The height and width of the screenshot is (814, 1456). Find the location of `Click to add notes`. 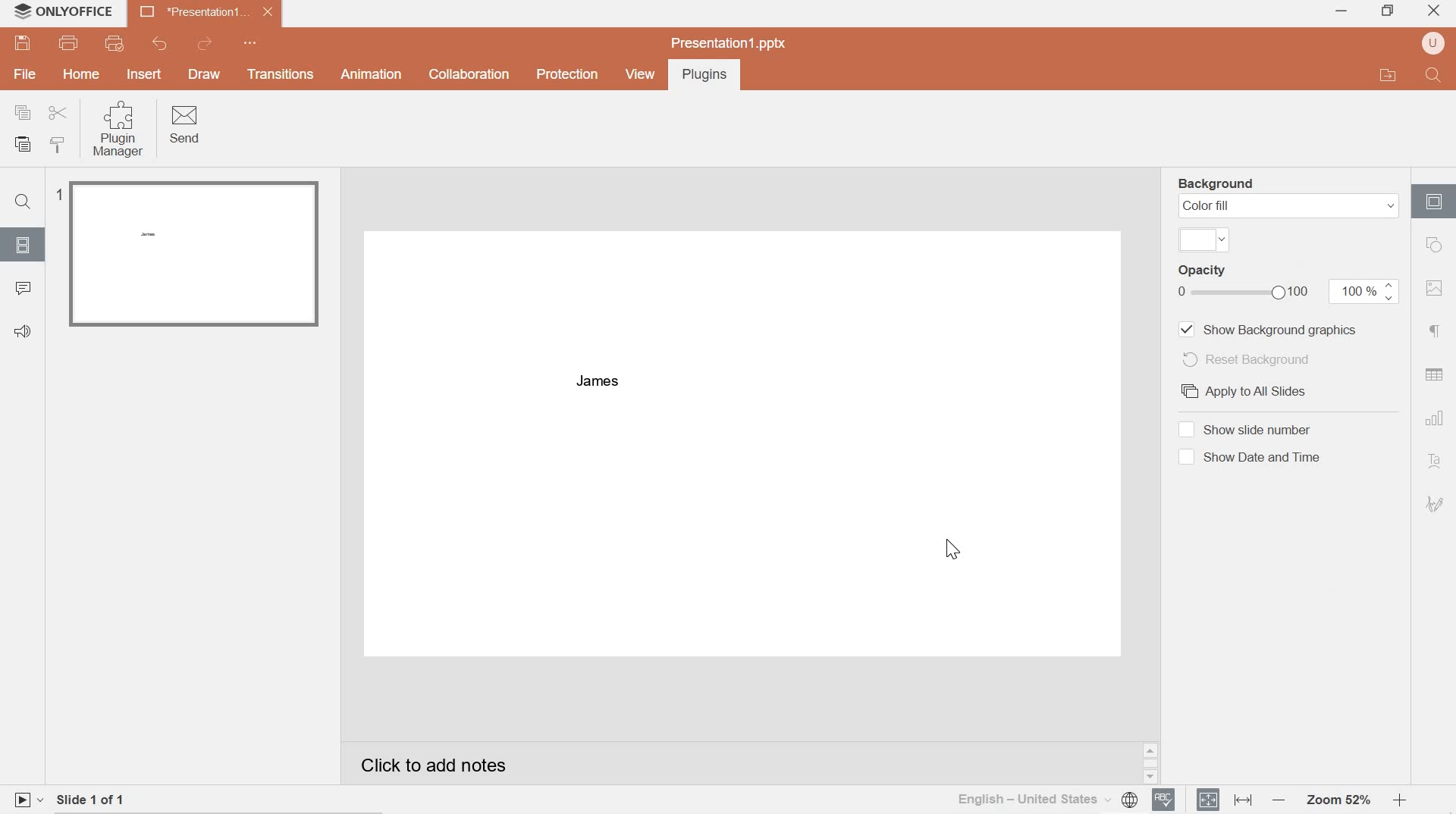

Click to add notes is located at coordinates (454, 761).